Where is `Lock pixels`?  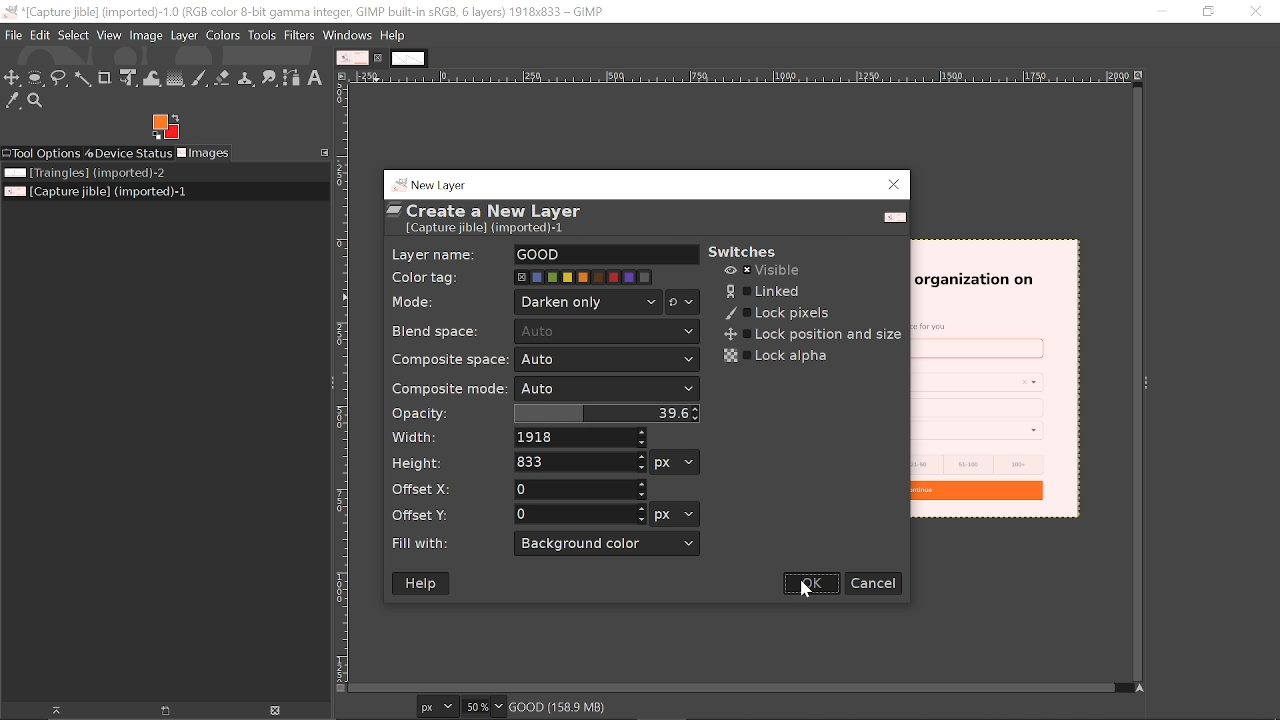 Lock pixels is located at coordinates (778, 314).